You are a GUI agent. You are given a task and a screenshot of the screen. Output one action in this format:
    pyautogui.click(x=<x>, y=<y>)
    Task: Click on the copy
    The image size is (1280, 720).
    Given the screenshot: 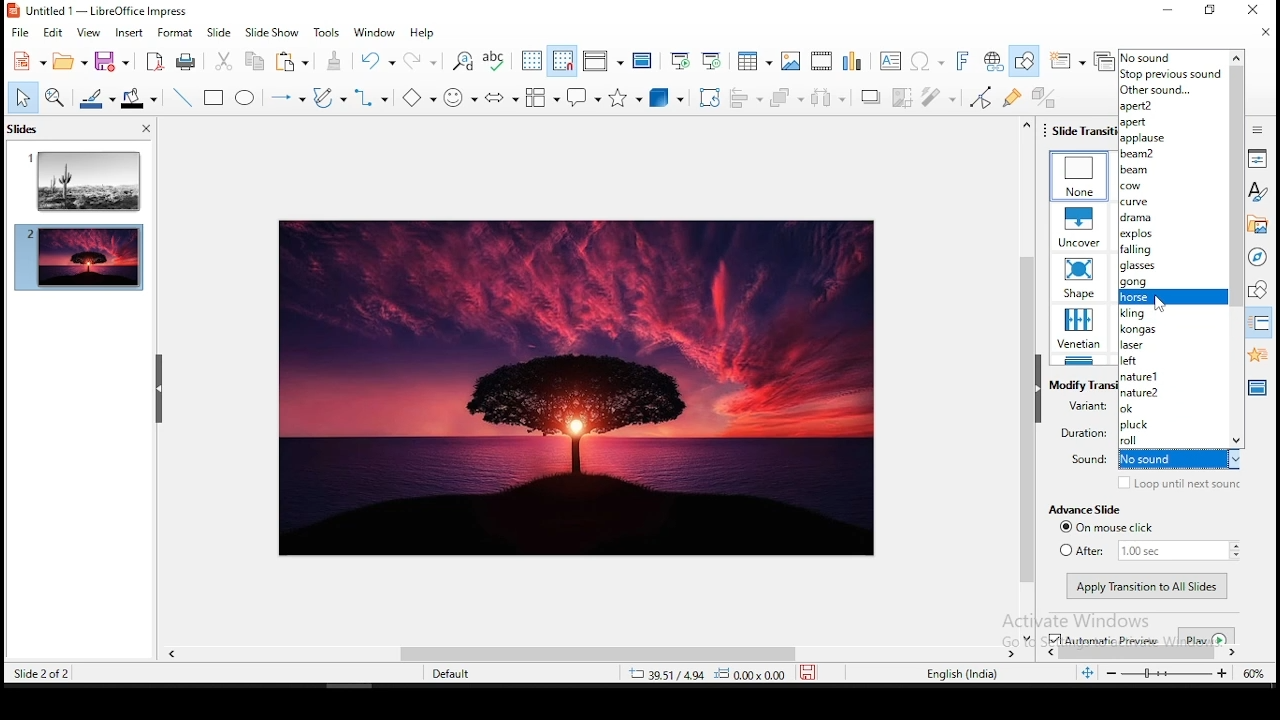 What is the action you would take?
    pyautogui.click(x=253, y=61)
    